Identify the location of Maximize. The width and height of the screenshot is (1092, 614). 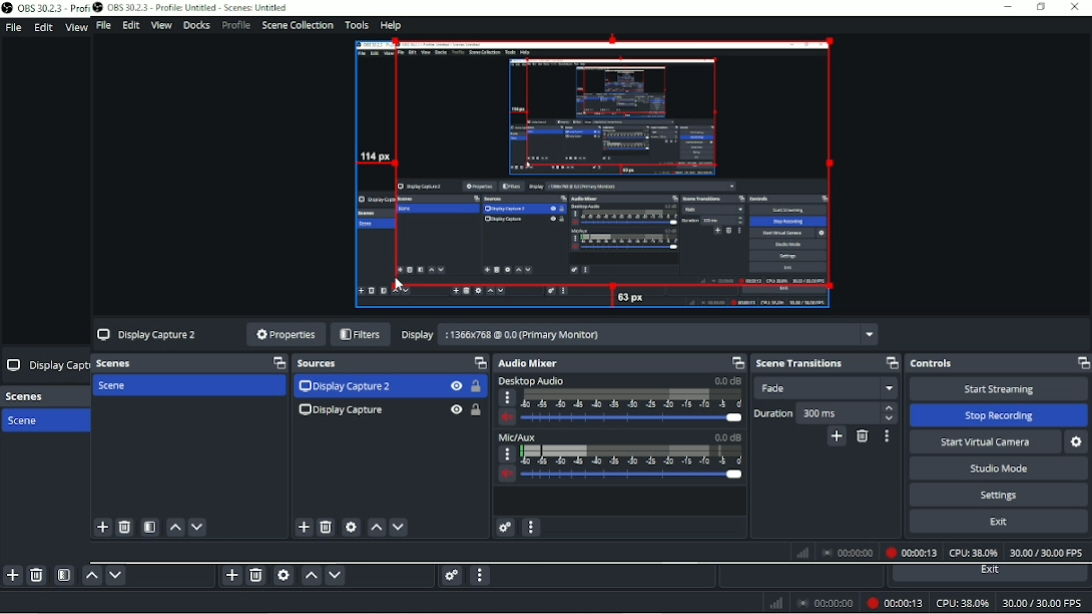
(278, 363).